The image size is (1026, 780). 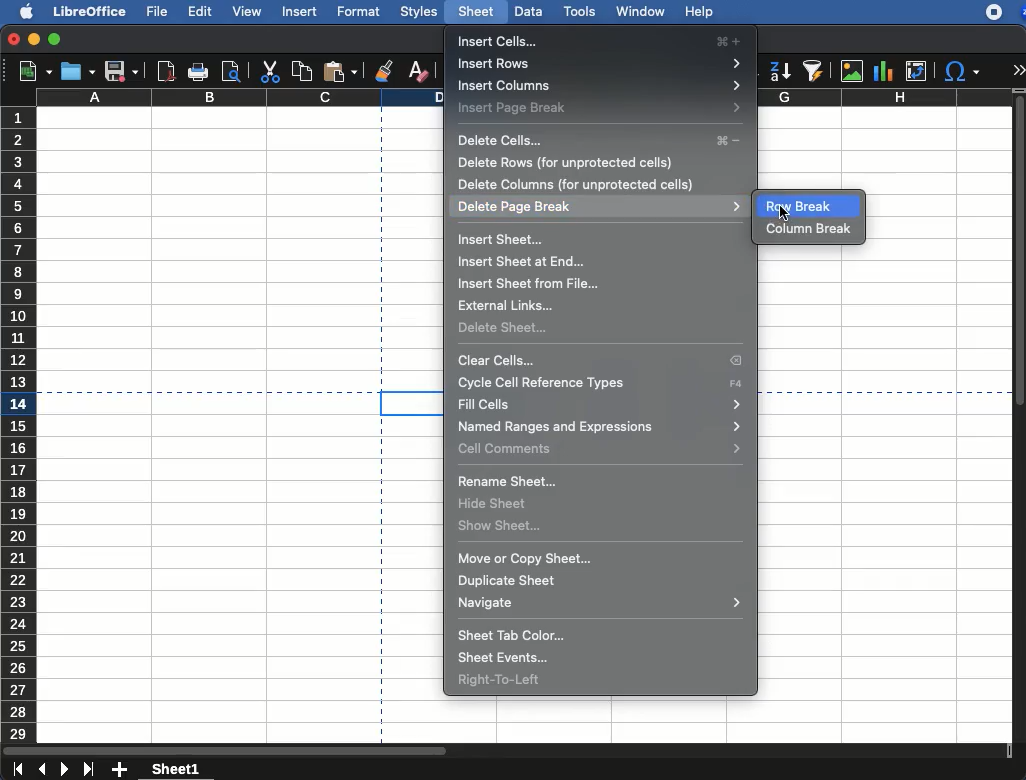 What do you see at coordinates (21, 11) in the screenshot?
I see `apple ` at bounding box center [21, 11].